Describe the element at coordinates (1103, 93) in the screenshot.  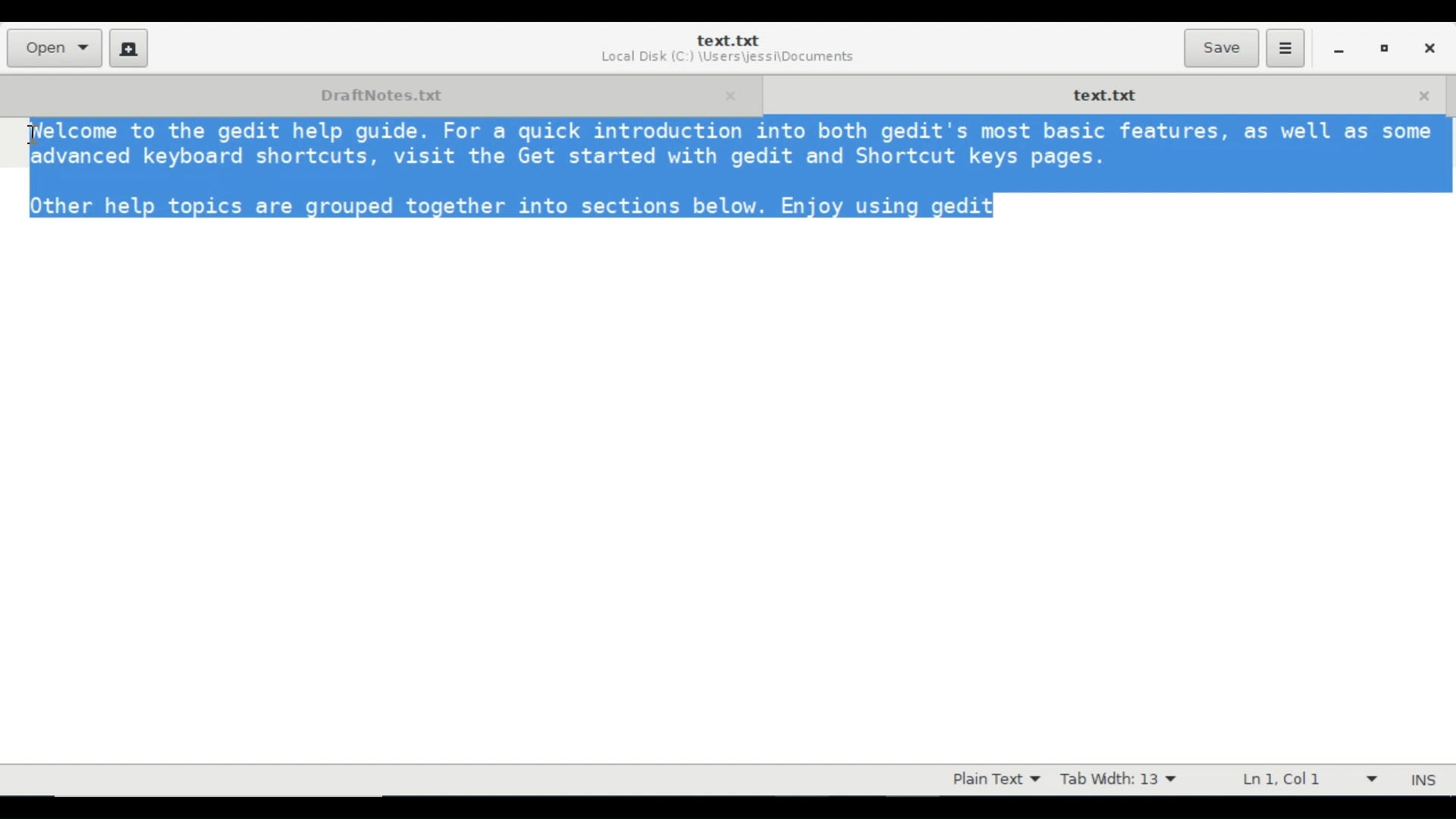
I see `Current tan` at that location.